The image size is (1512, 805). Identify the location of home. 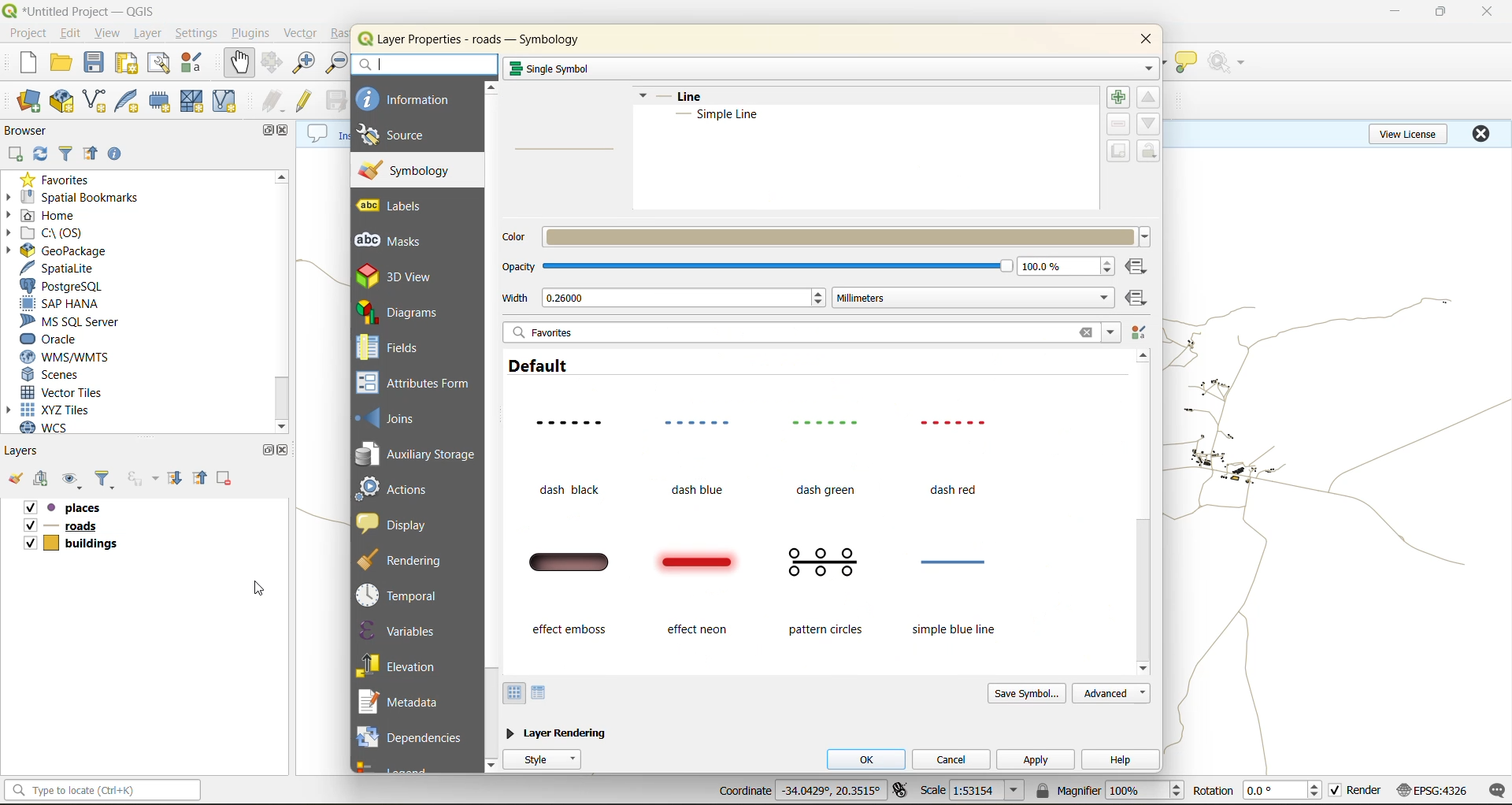
(50, 216).